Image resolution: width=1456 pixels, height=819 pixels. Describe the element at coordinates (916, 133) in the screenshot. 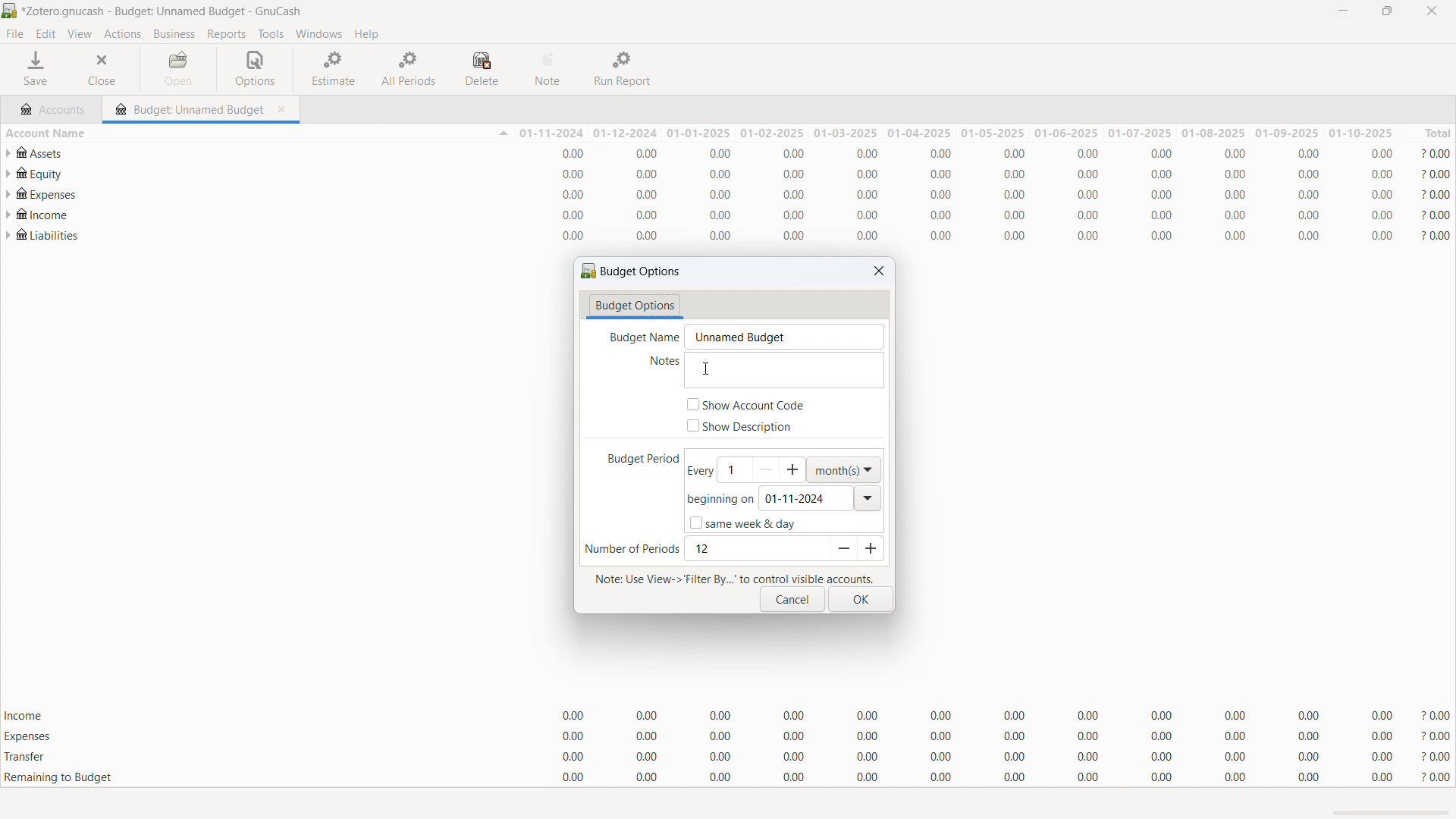

I see `01-04-2025` at that location.